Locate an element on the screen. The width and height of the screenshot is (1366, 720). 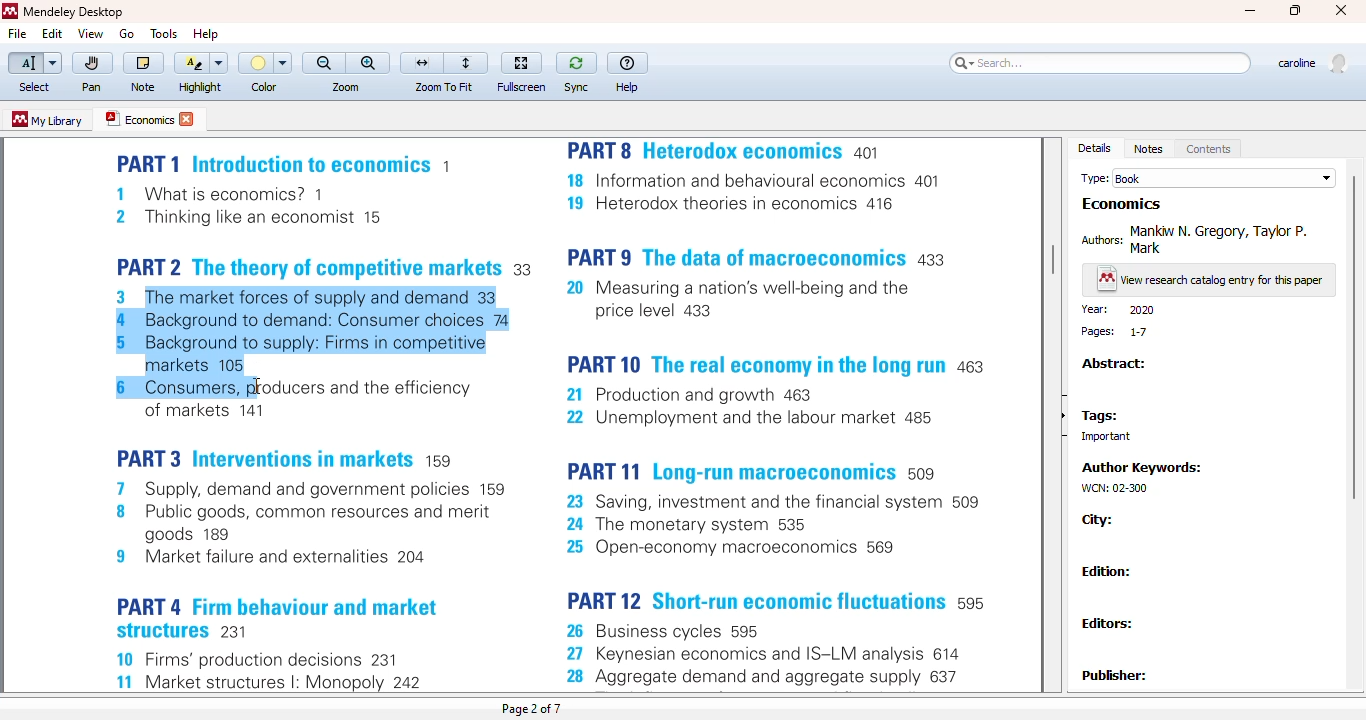
highlight is located at coordinates (201, 87).